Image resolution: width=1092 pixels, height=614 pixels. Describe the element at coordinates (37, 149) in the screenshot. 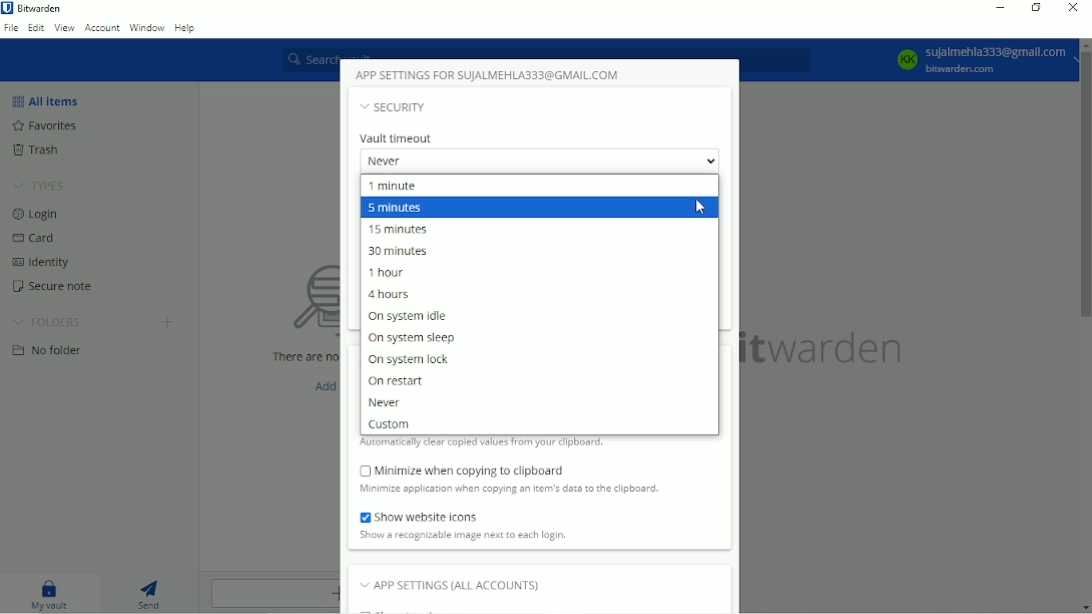

I see `Trash` at that location.